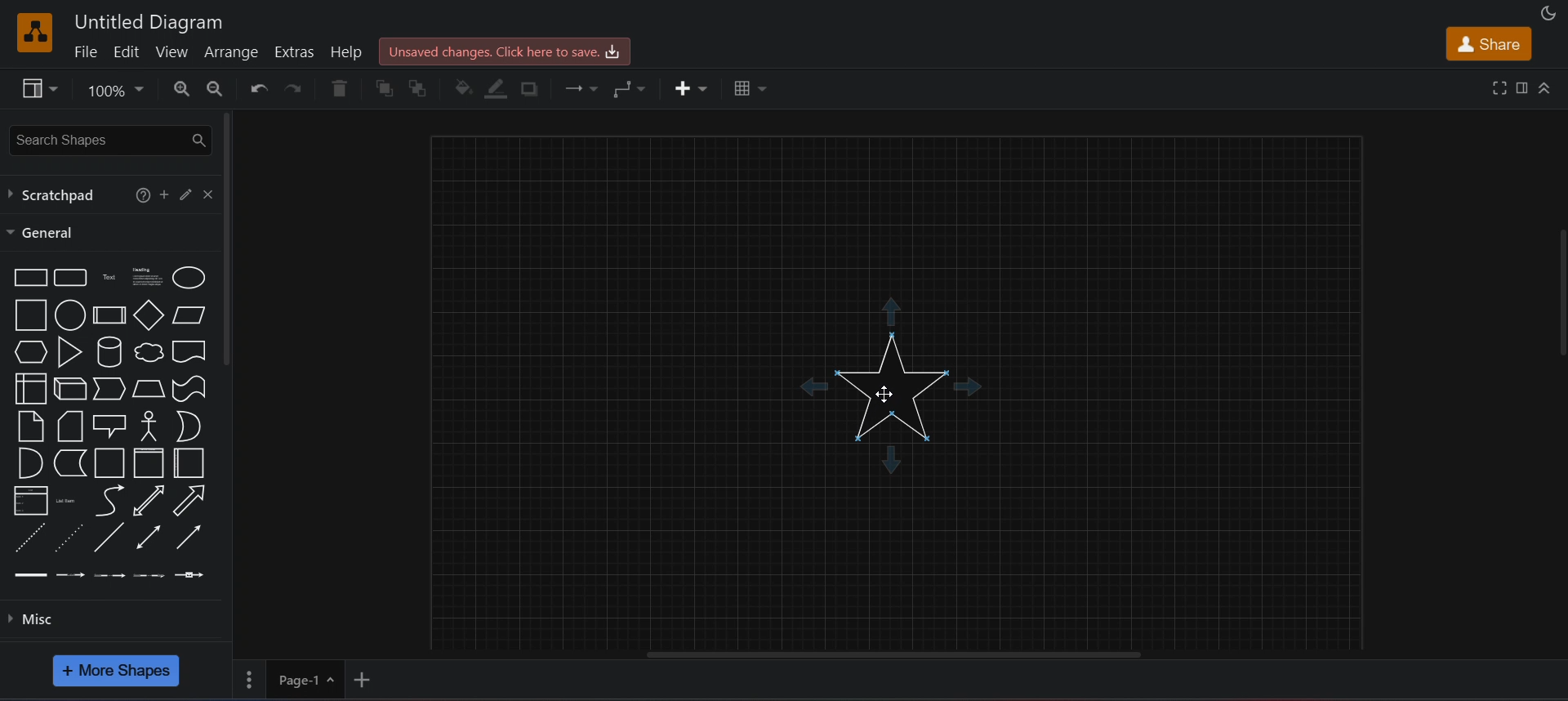 This screenshot has width=1568, height=701. What do you see at coordinates (898, 387) in the screenshot?
I see `star shape` at bounding box center [898, 387].